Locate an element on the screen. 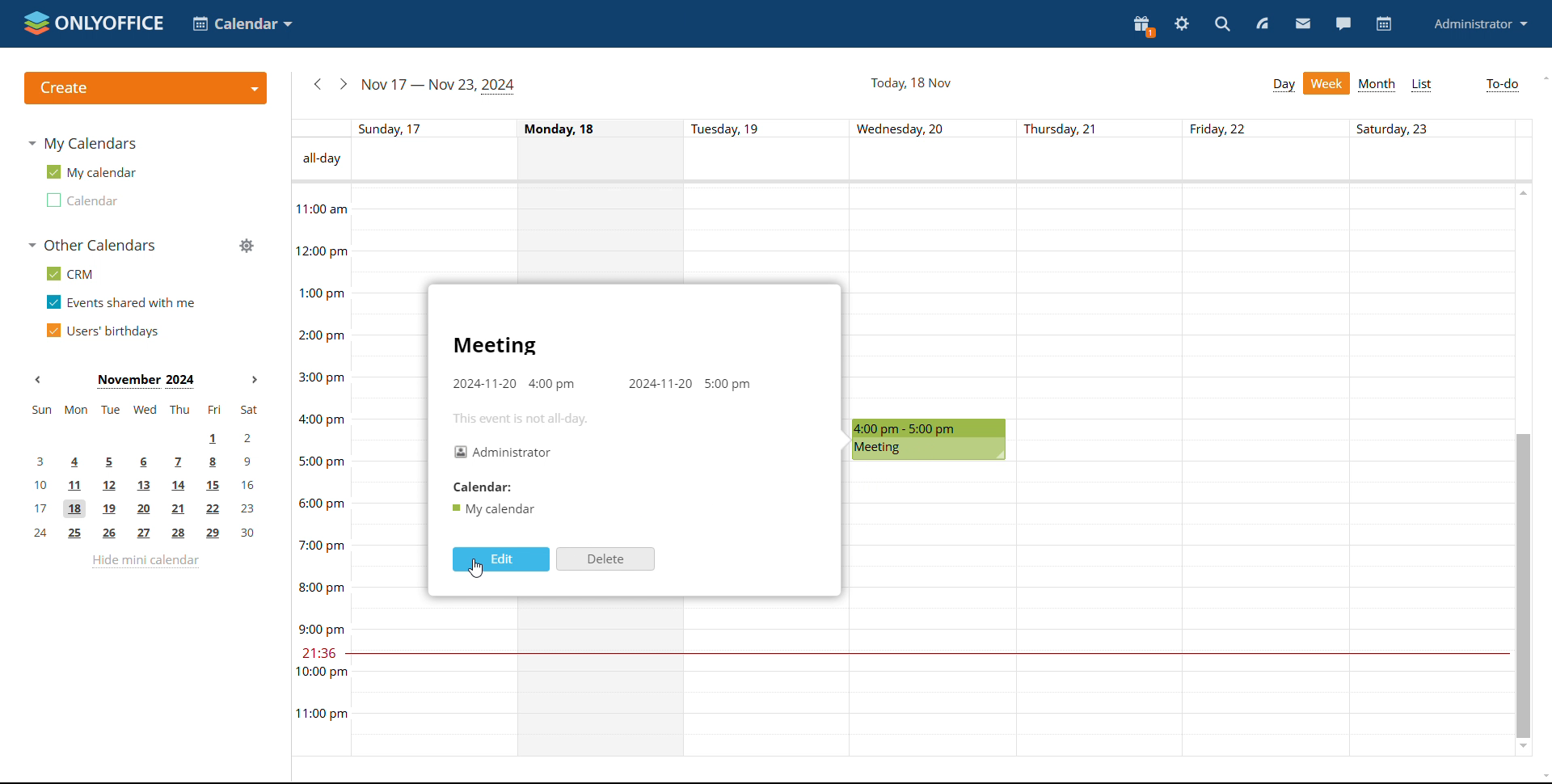 This screenshot has width=1552, height=784. delete is located at coordinates (605, 559).